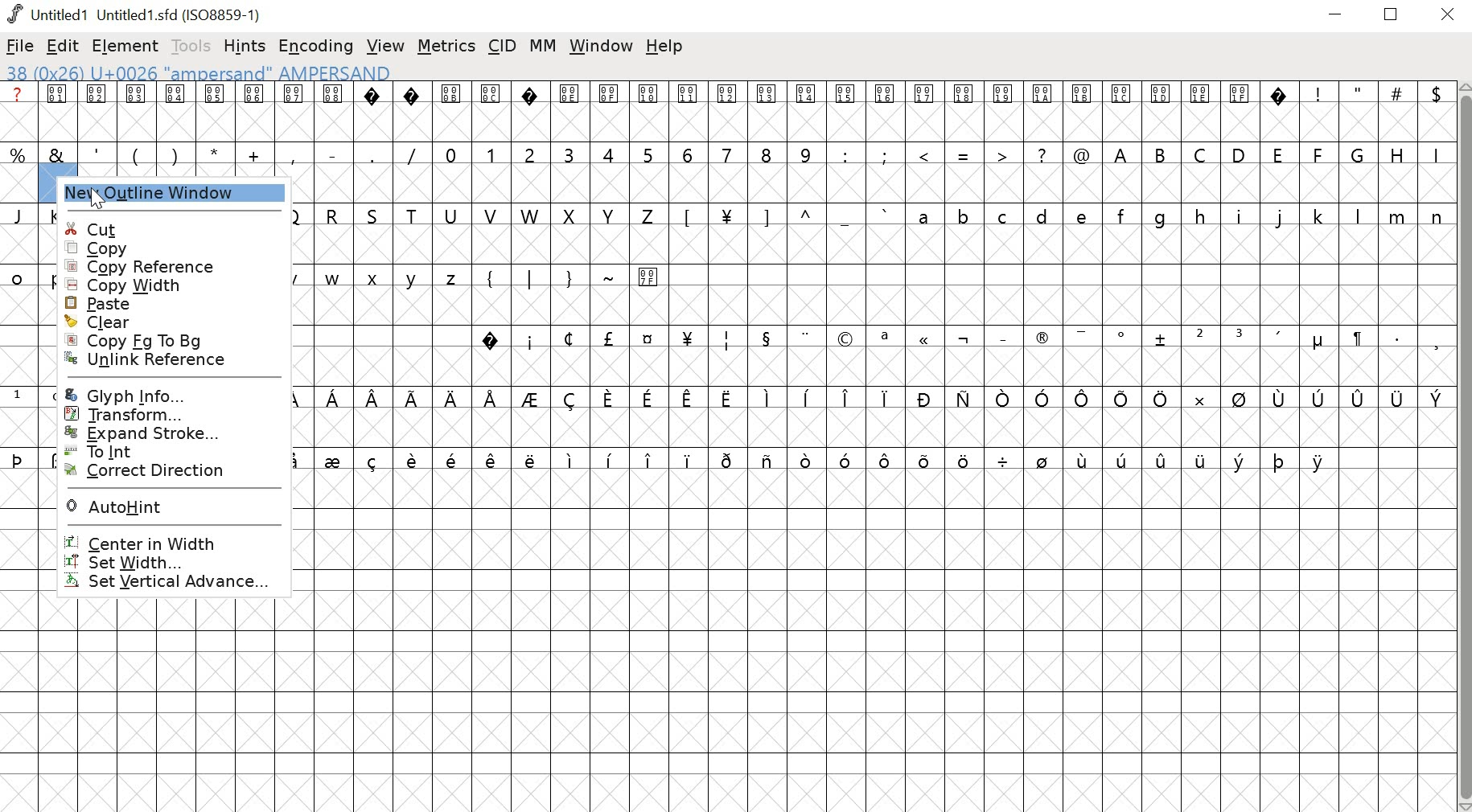 The height and width of the screenshot is (812, 1472). What do you see at coordinates (1201, 215) in the screenshot?
I see `h` at bounding box center [1201, 215].